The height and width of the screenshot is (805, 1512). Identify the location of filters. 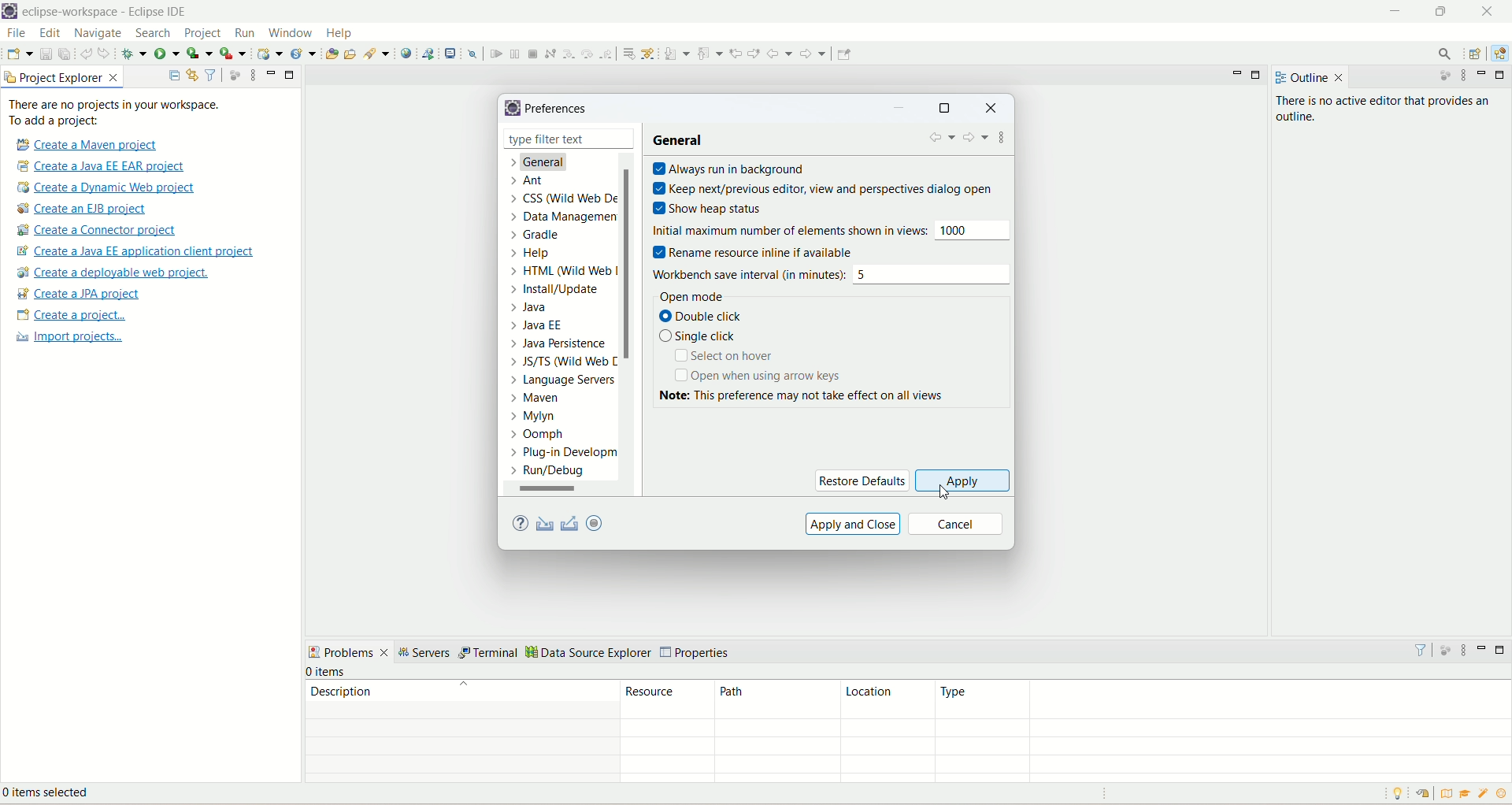
(1420, 649).